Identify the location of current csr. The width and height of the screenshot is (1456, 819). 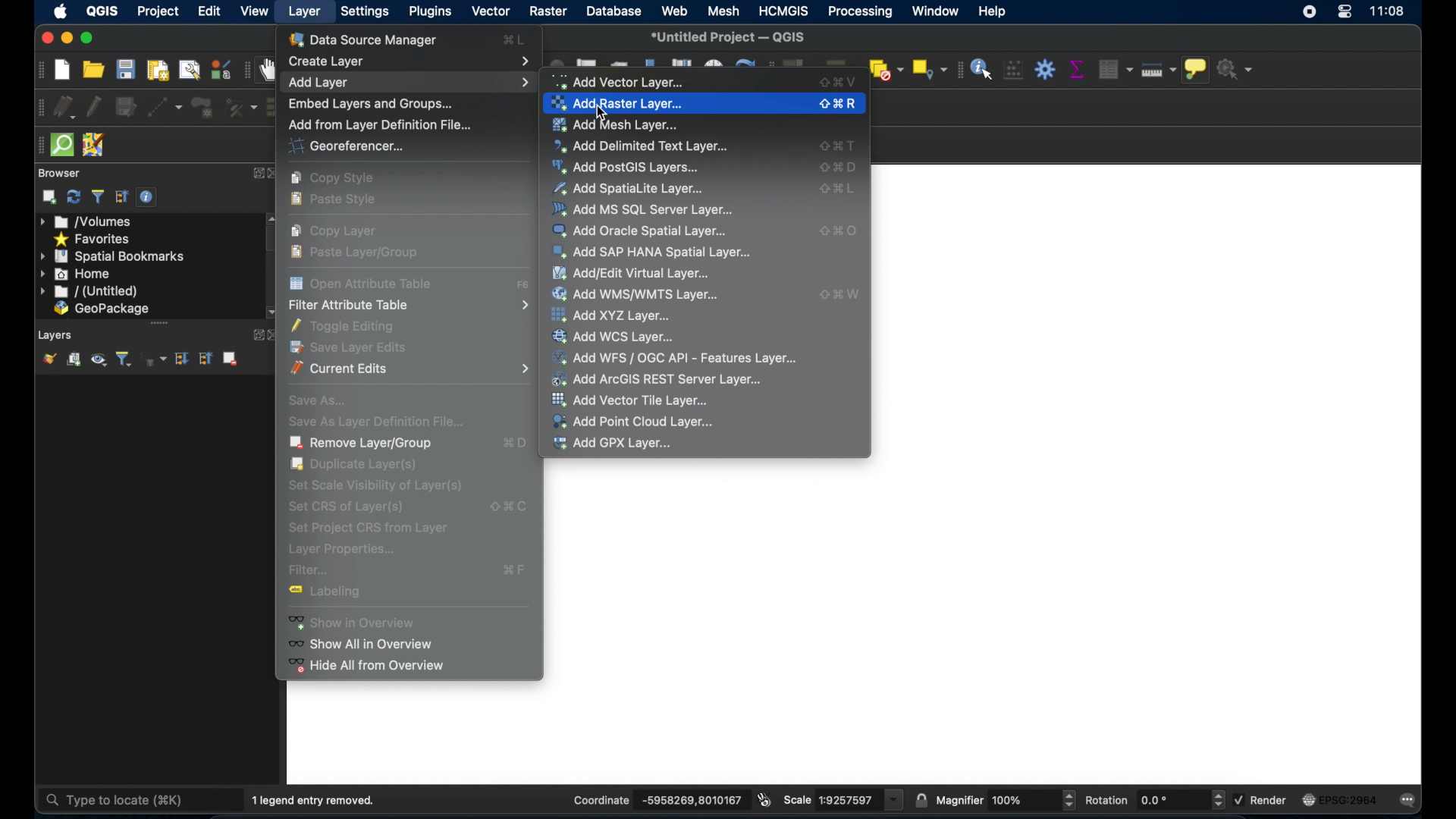
(1345, 799).